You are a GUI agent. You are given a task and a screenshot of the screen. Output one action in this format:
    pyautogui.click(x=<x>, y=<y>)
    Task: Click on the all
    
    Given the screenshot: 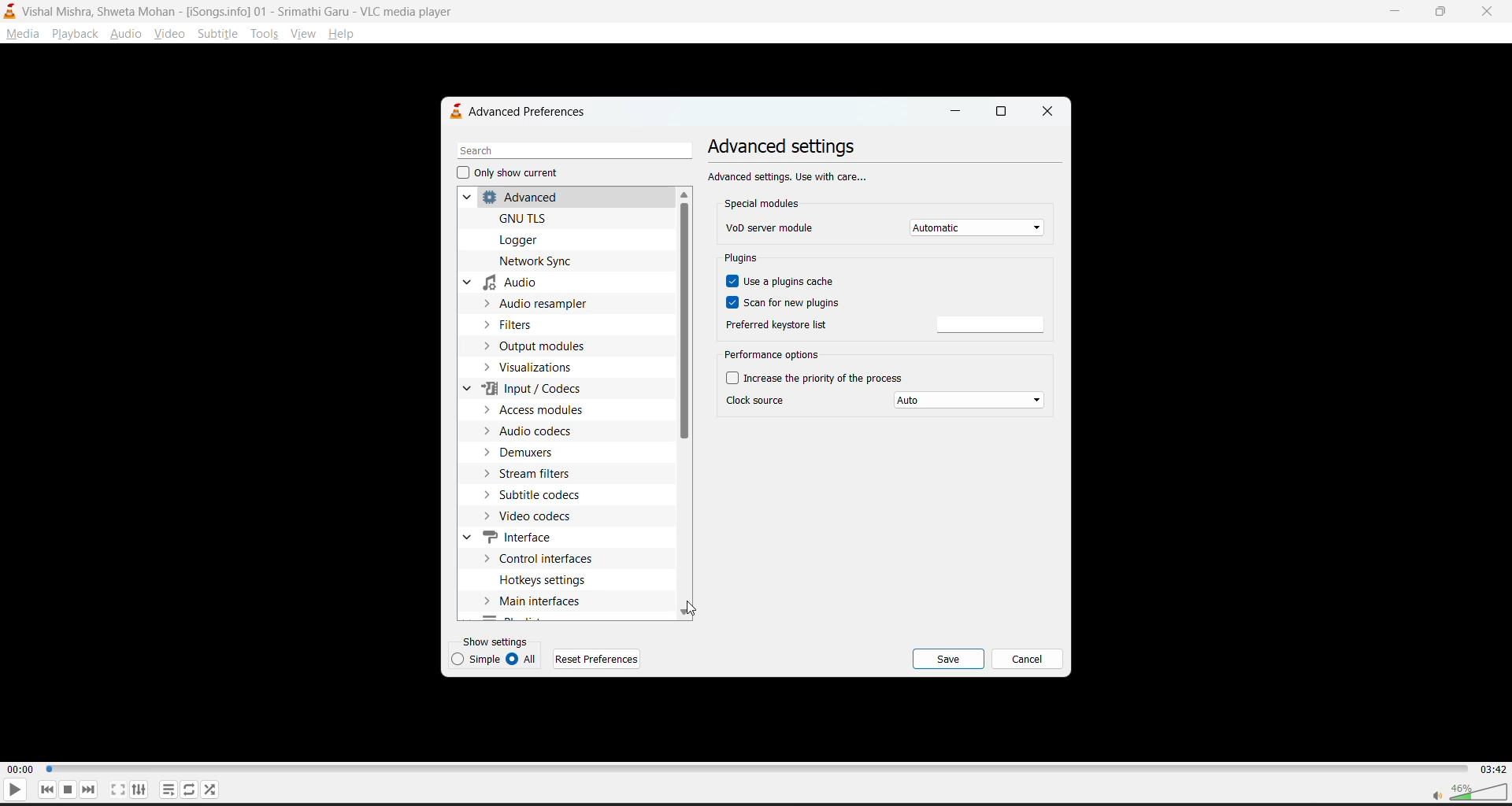 What is the action you would take?
    pyautogui.click(x=524, y=660)
    